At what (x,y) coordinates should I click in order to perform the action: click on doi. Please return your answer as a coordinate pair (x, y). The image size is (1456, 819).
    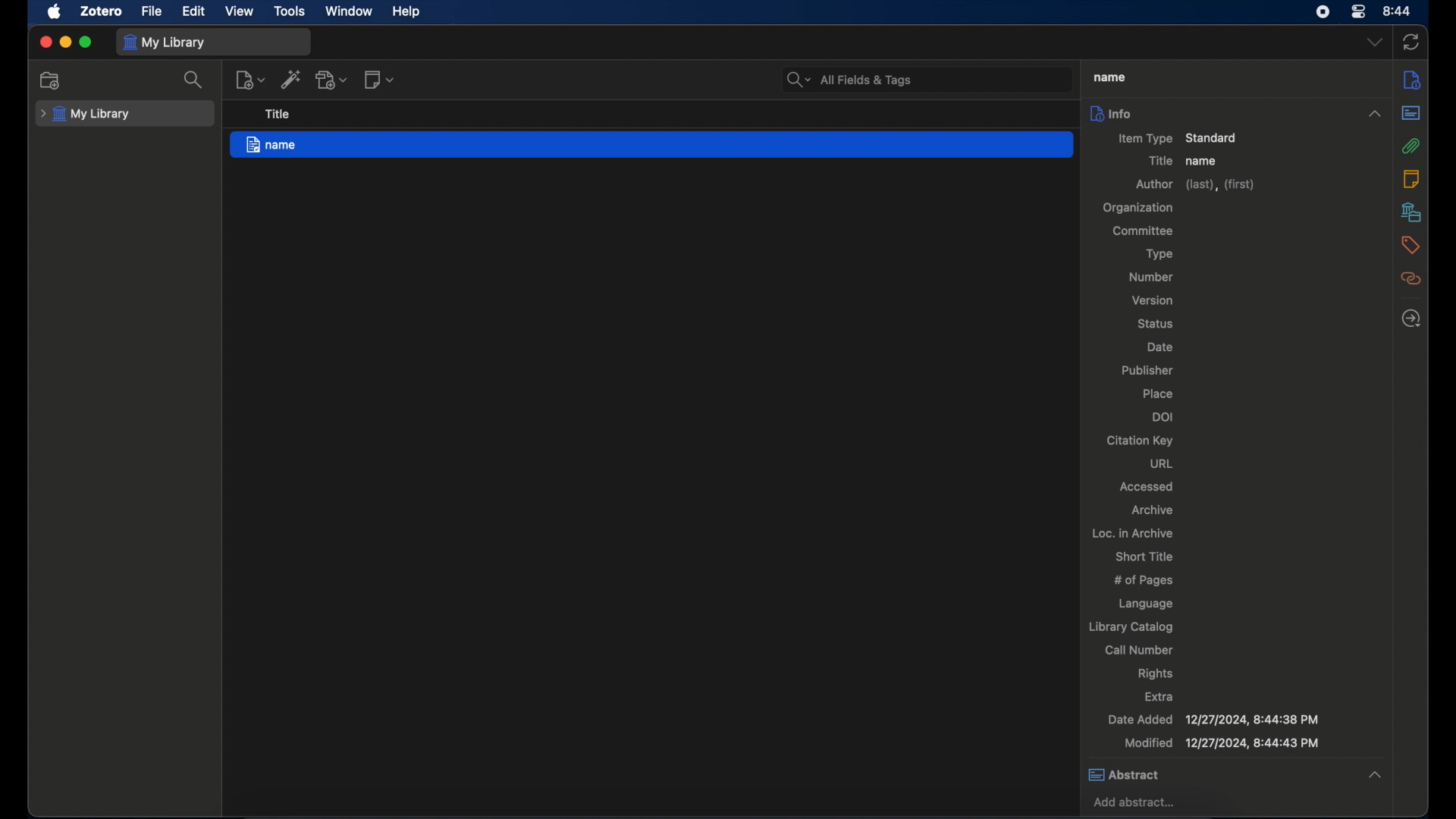
    Looking at the image, I should click on (1164, 416).